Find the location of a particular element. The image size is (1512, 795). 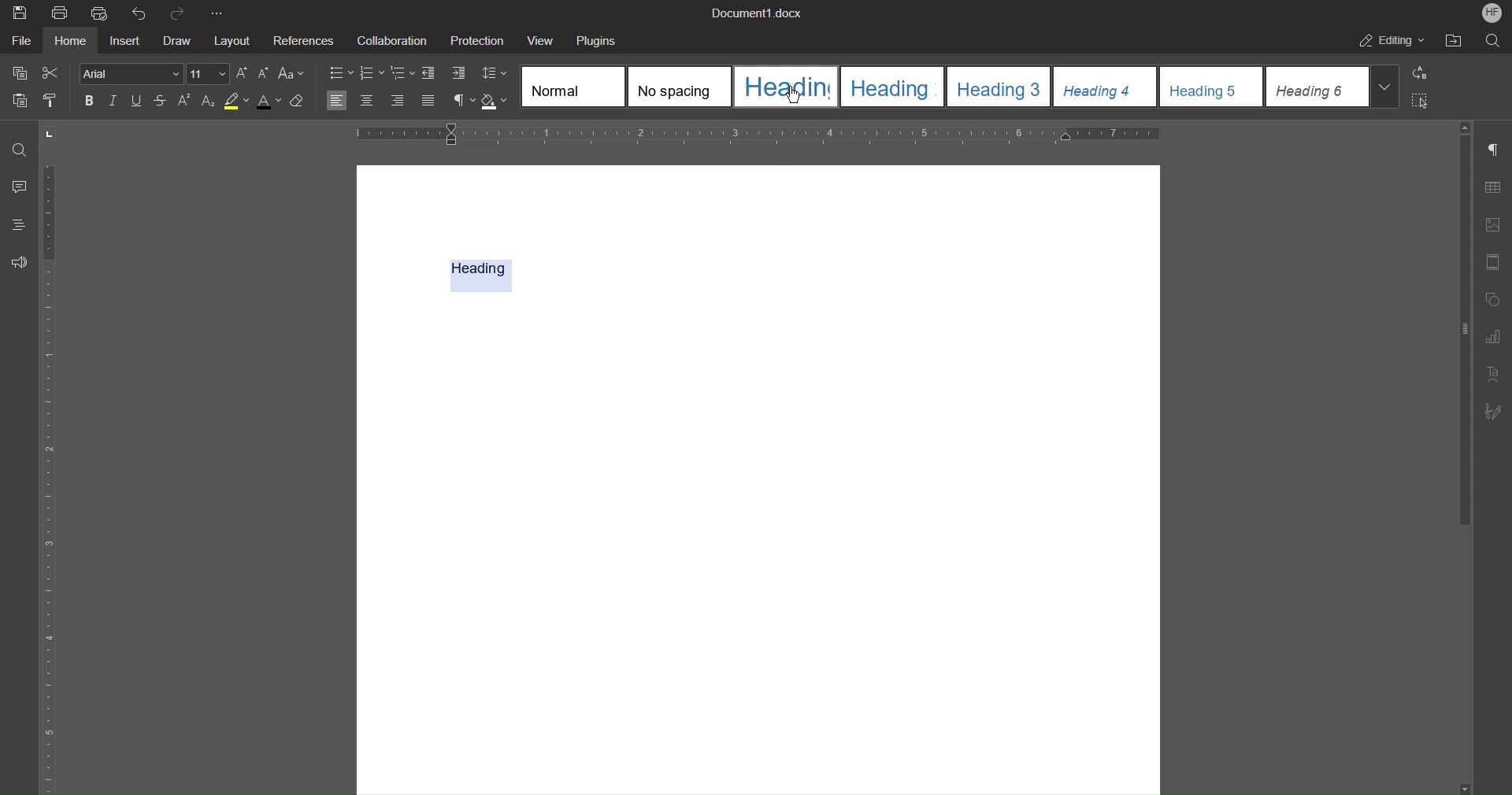

Justify is located at coordinates (428, 102).